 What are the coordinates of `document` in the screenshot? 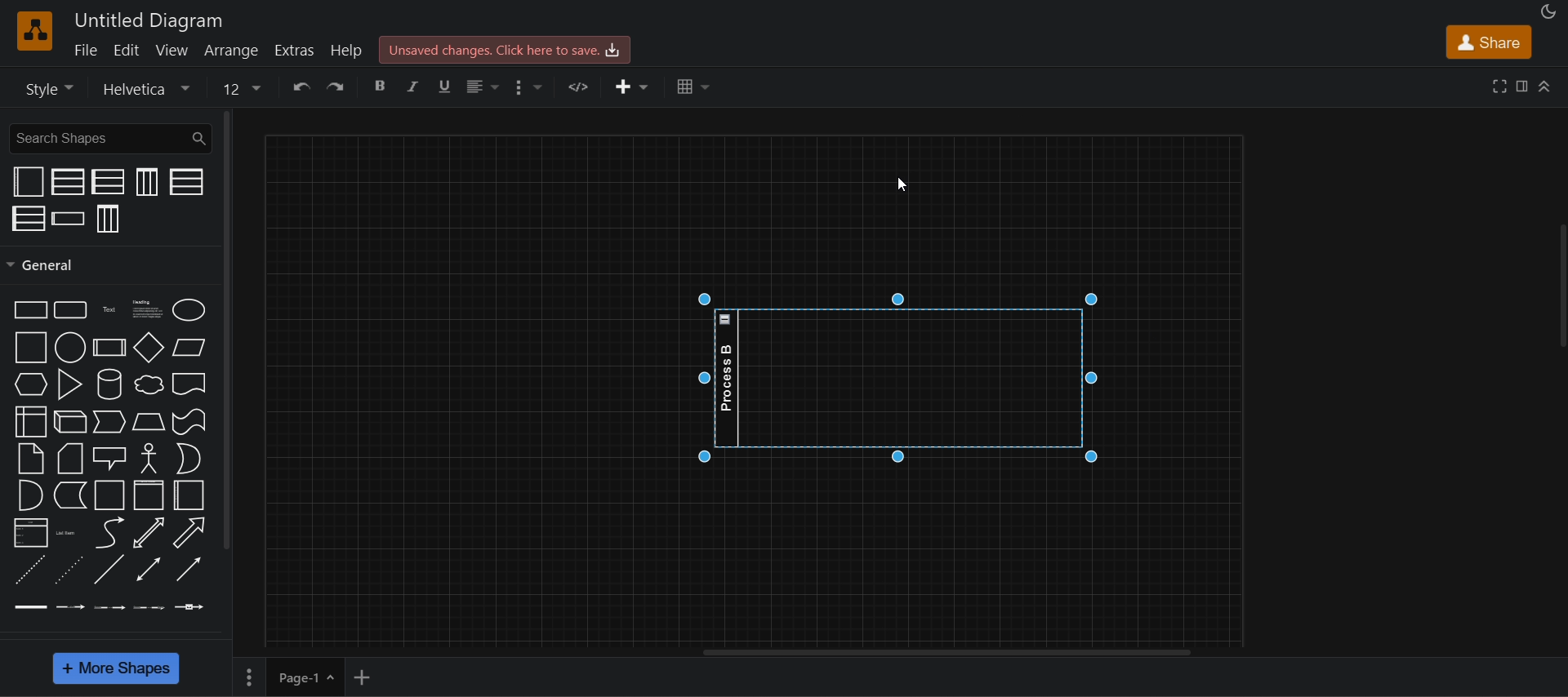 It's located at (187, 384).